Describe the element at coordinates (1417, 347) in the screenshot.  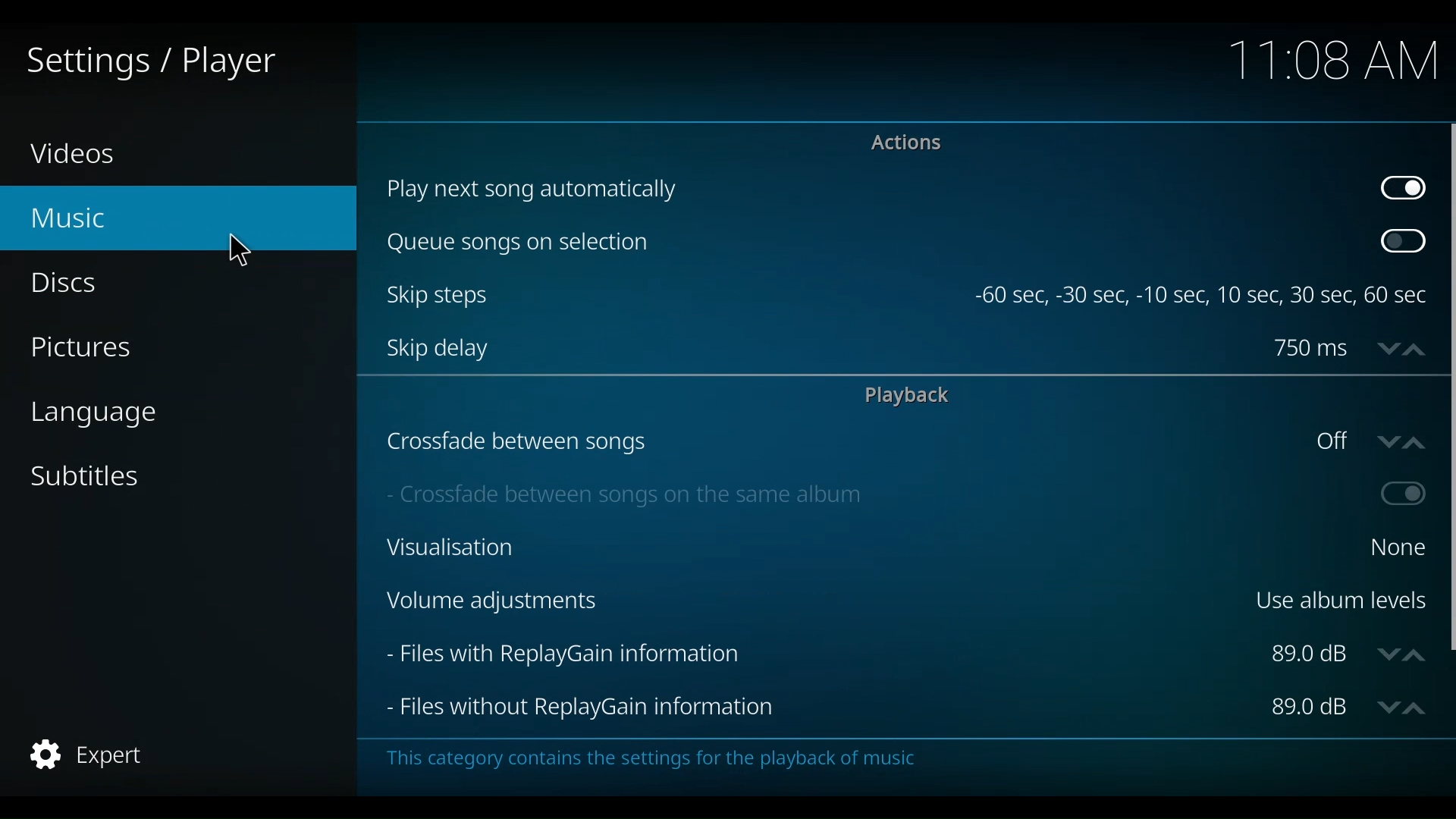
I see `up` at that location.